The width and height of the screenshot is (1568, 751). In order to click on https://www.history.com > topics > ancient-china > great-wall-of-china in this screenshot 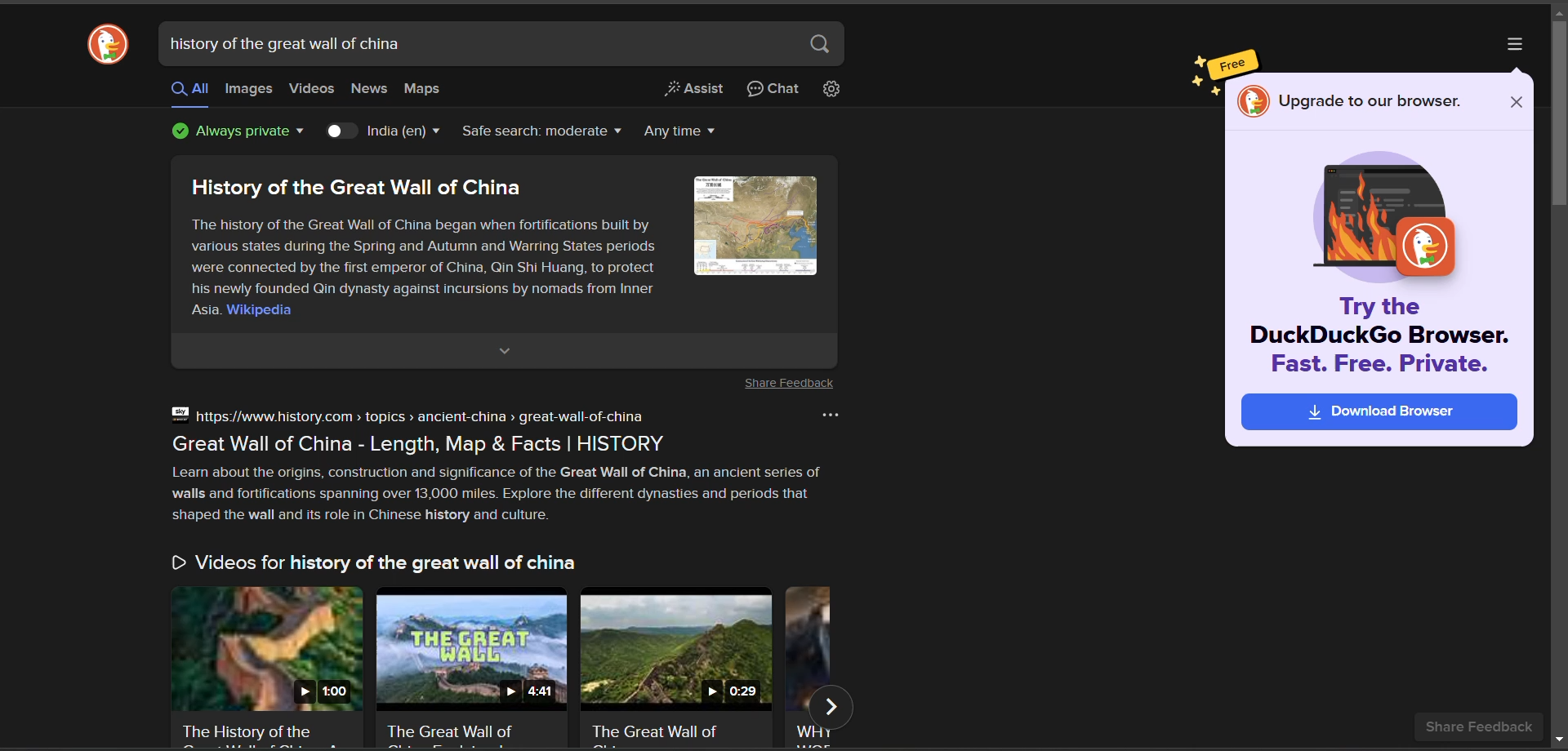, I will do `click(415, 416)`.